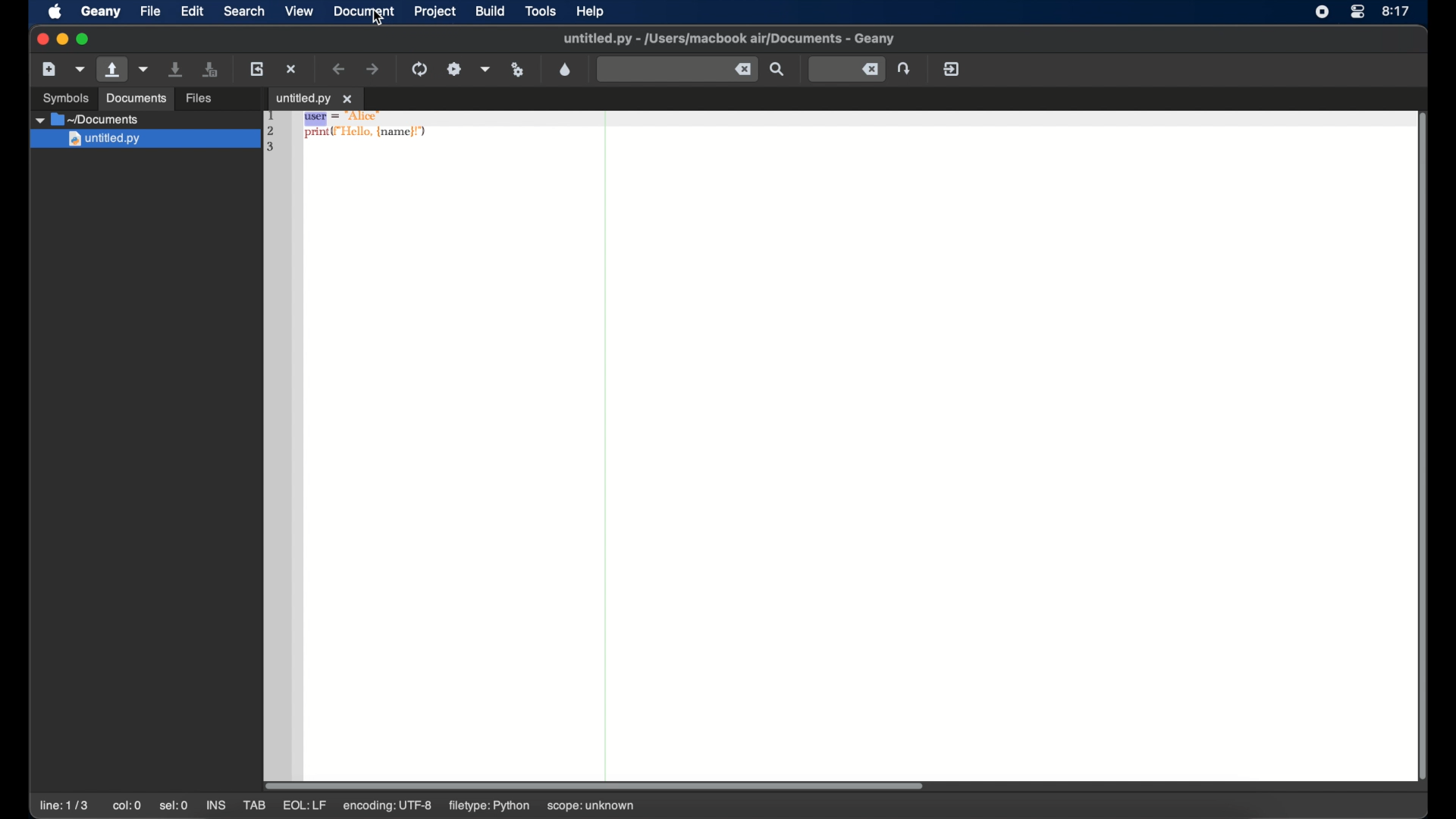 The image size is (1456, 819). I want to click on navigate back a location, so click(338, 68).